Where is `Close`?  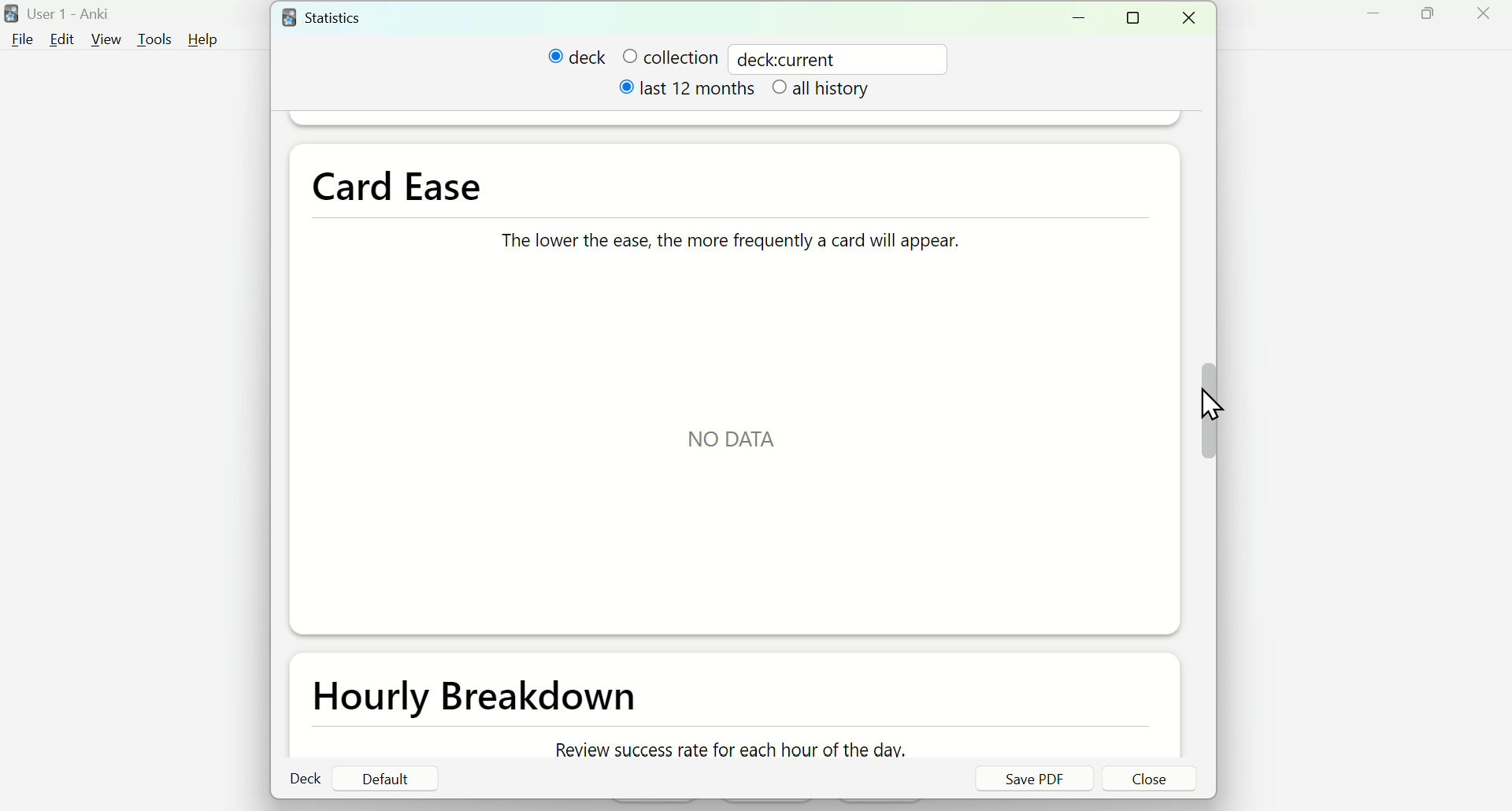
Close is located at coordinates (1486, 19).